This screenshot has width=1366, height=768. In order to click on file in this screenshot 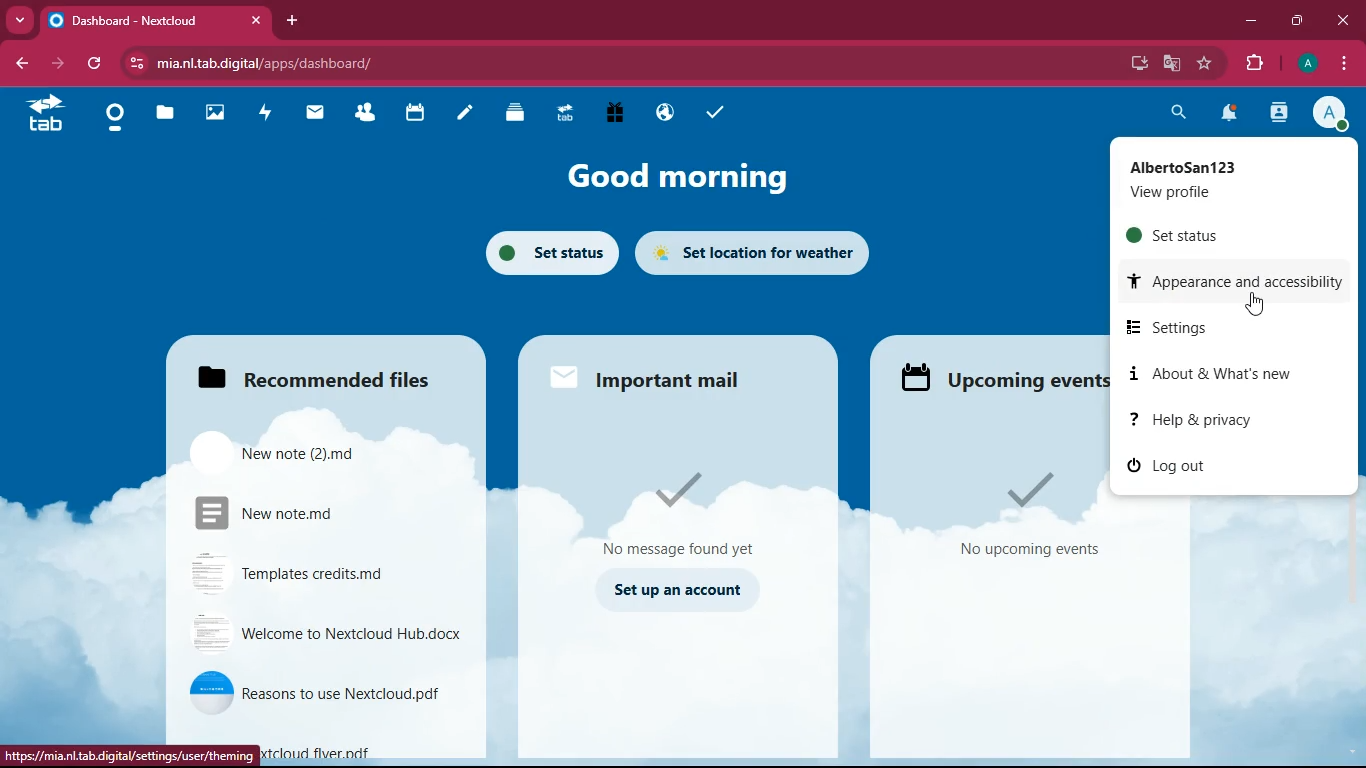, I will do `click(311, 691)`.